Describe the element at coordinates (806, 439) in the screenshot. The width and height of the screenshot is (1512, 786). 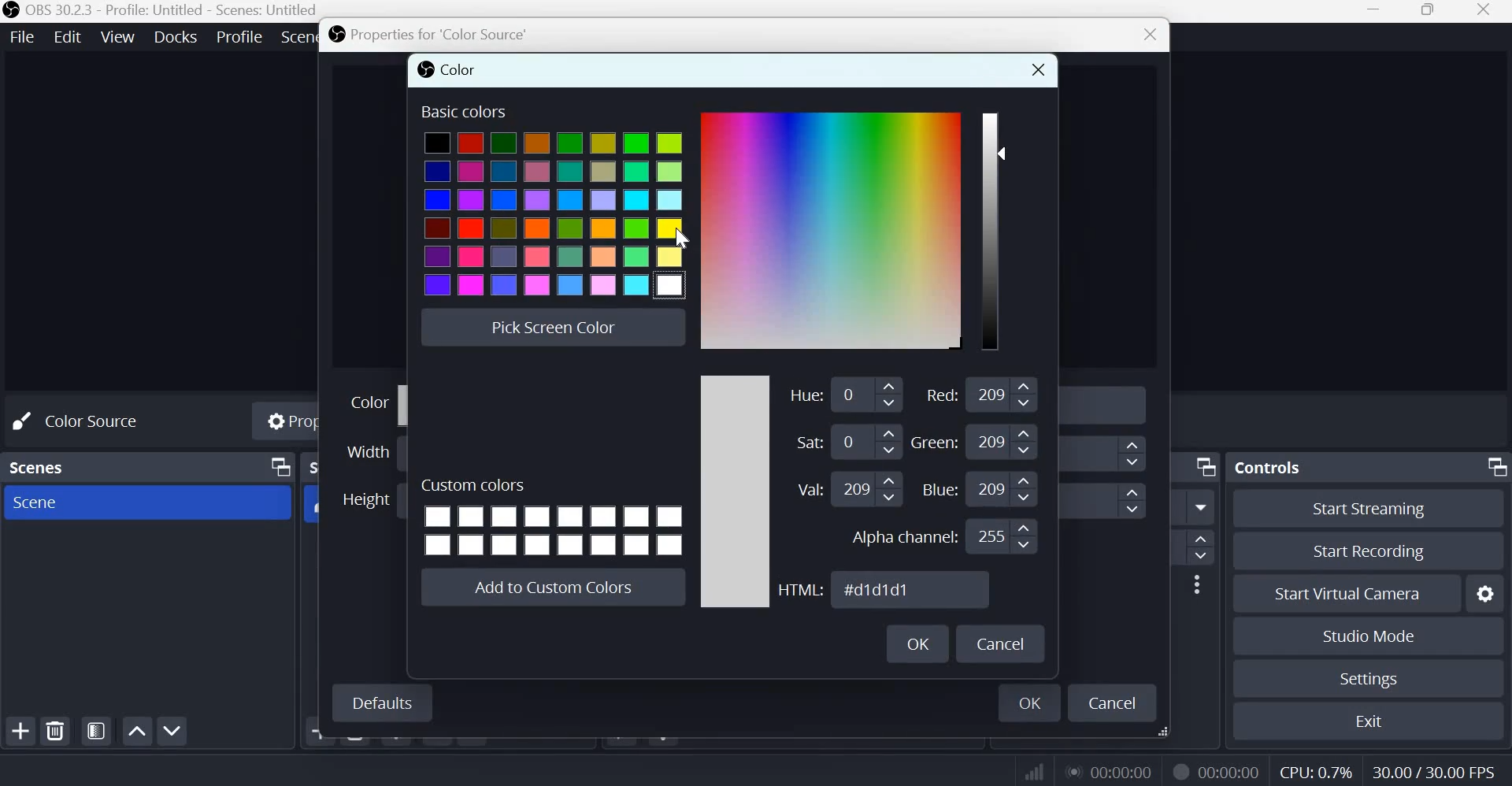
I see `Saturation:` at that location.